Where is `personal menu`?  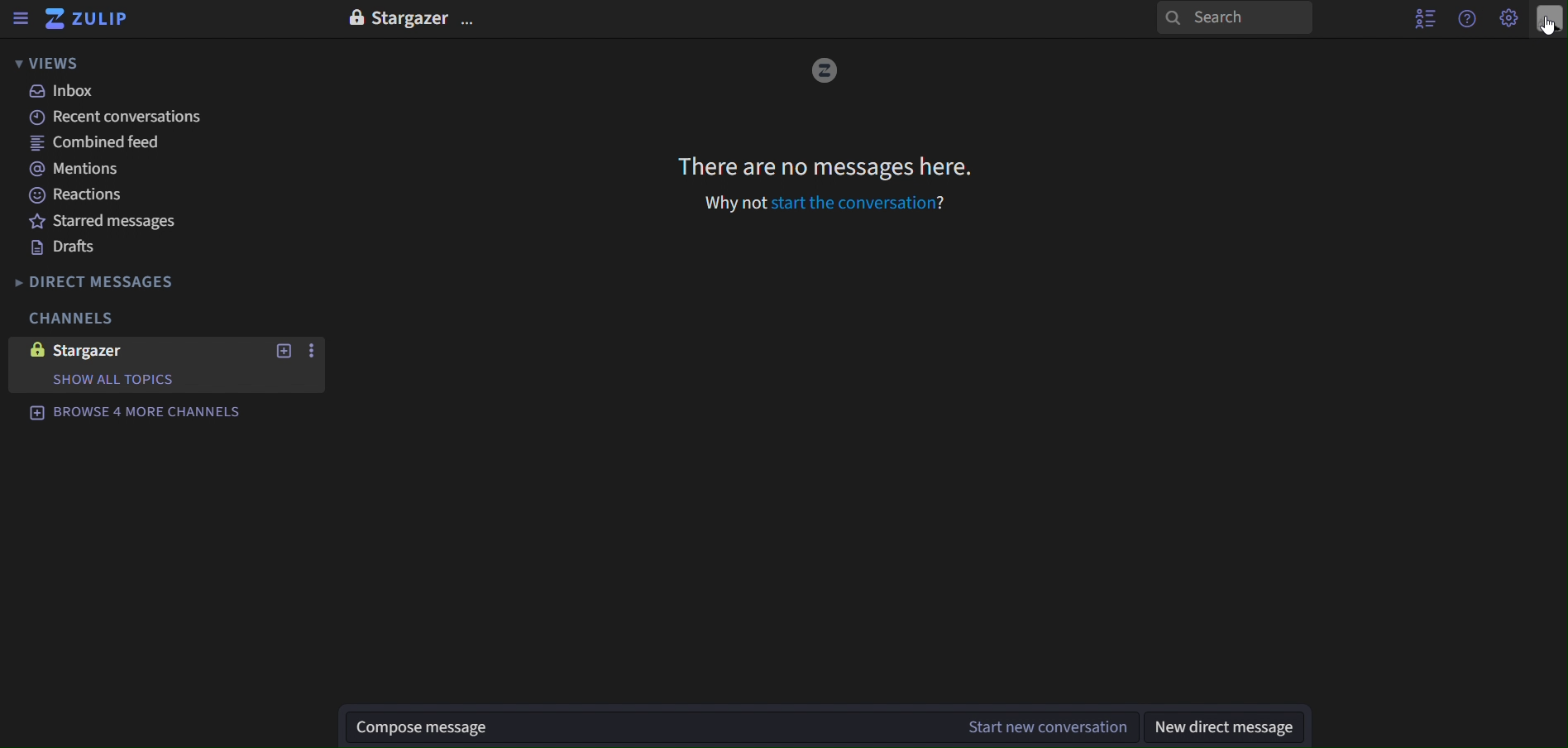
personal menu is located at coordinates (1548, 19).